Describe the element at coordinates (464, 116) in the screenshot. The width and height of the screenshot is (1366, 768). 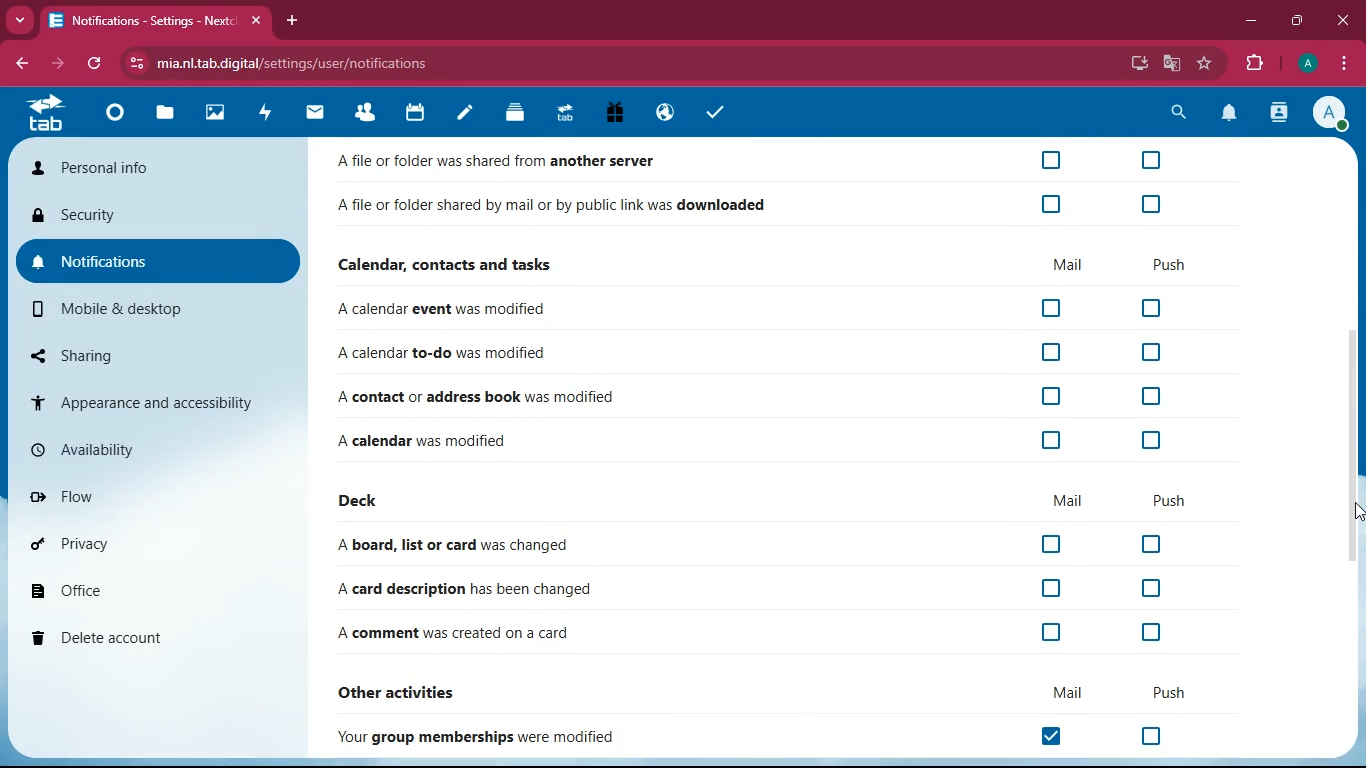
I see `notes` at that location.